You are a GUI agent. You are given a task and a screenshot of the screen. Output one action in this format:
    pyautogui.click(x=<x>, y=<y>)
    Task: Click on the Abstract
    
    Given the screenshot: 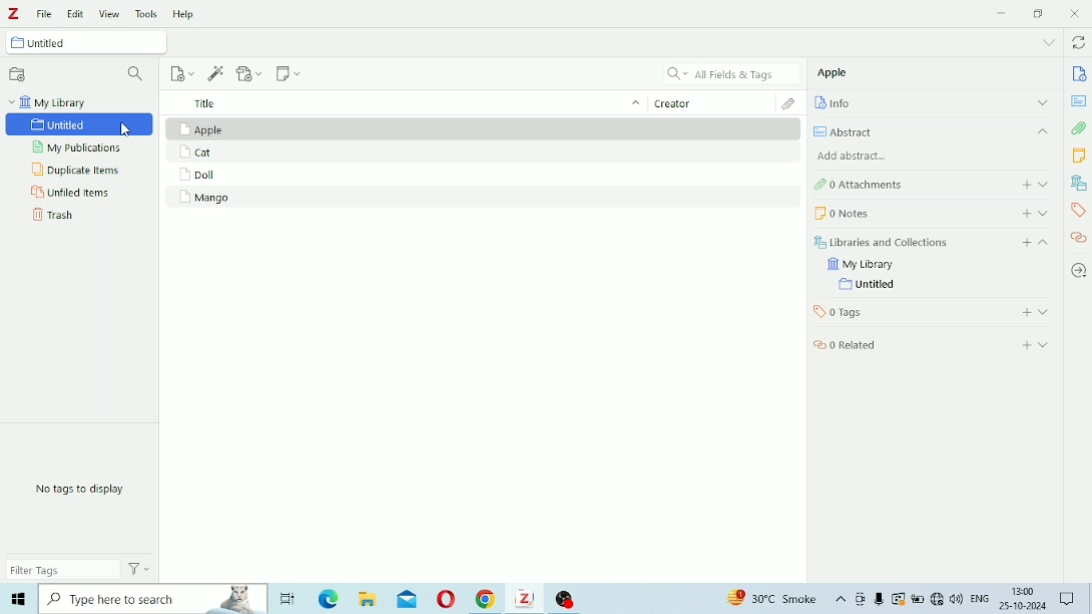 What is the action you would take?
    pyautogui.click(x=1079, y=101)
    